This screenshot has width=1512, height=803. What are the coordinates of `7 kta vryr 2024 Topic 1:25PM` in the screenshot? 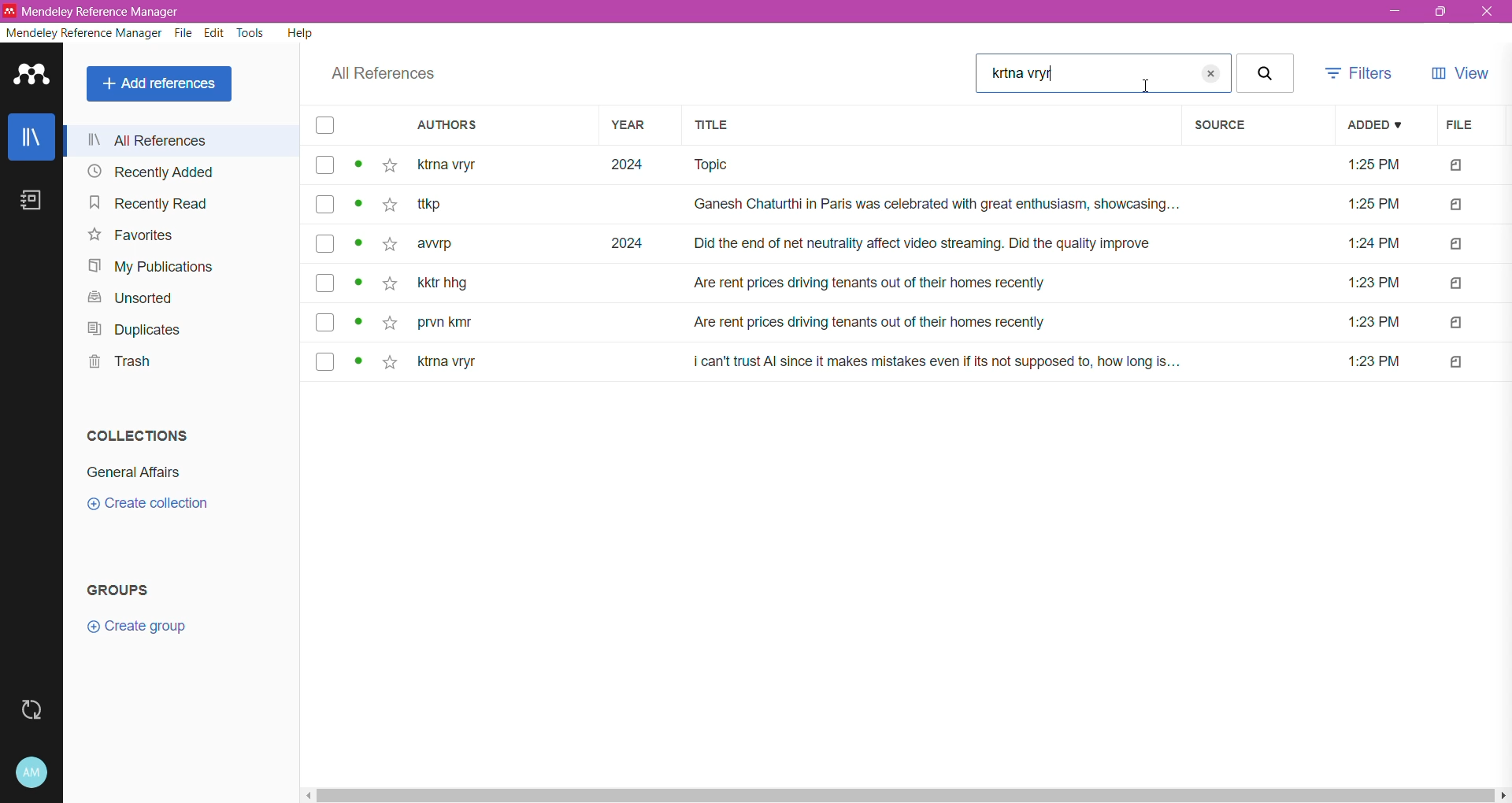 It's located at (917, 168).